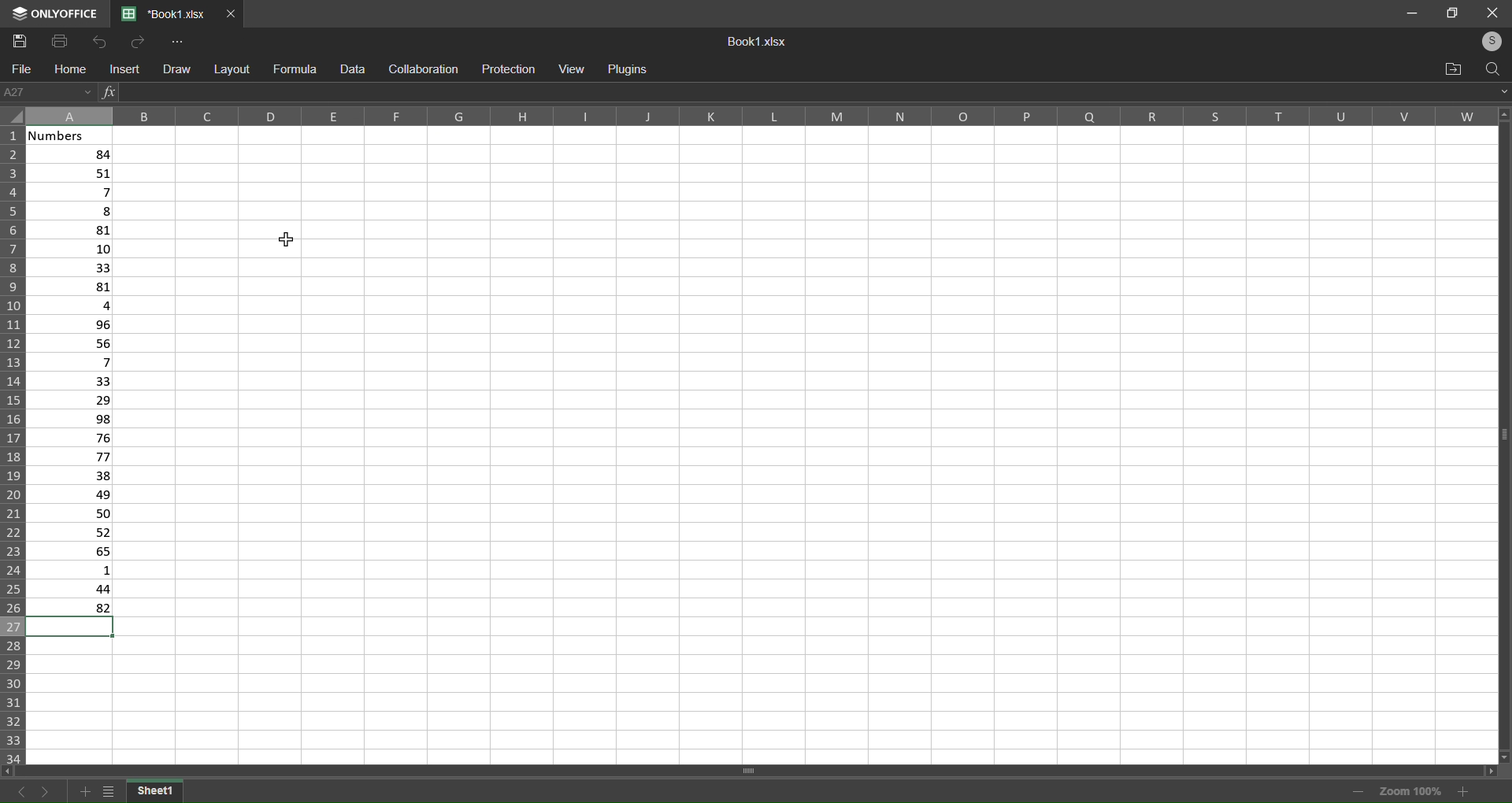  What do you see at coordinates (43, 790) in the screenshot?
I see `next` at bounding box center [43, 790].